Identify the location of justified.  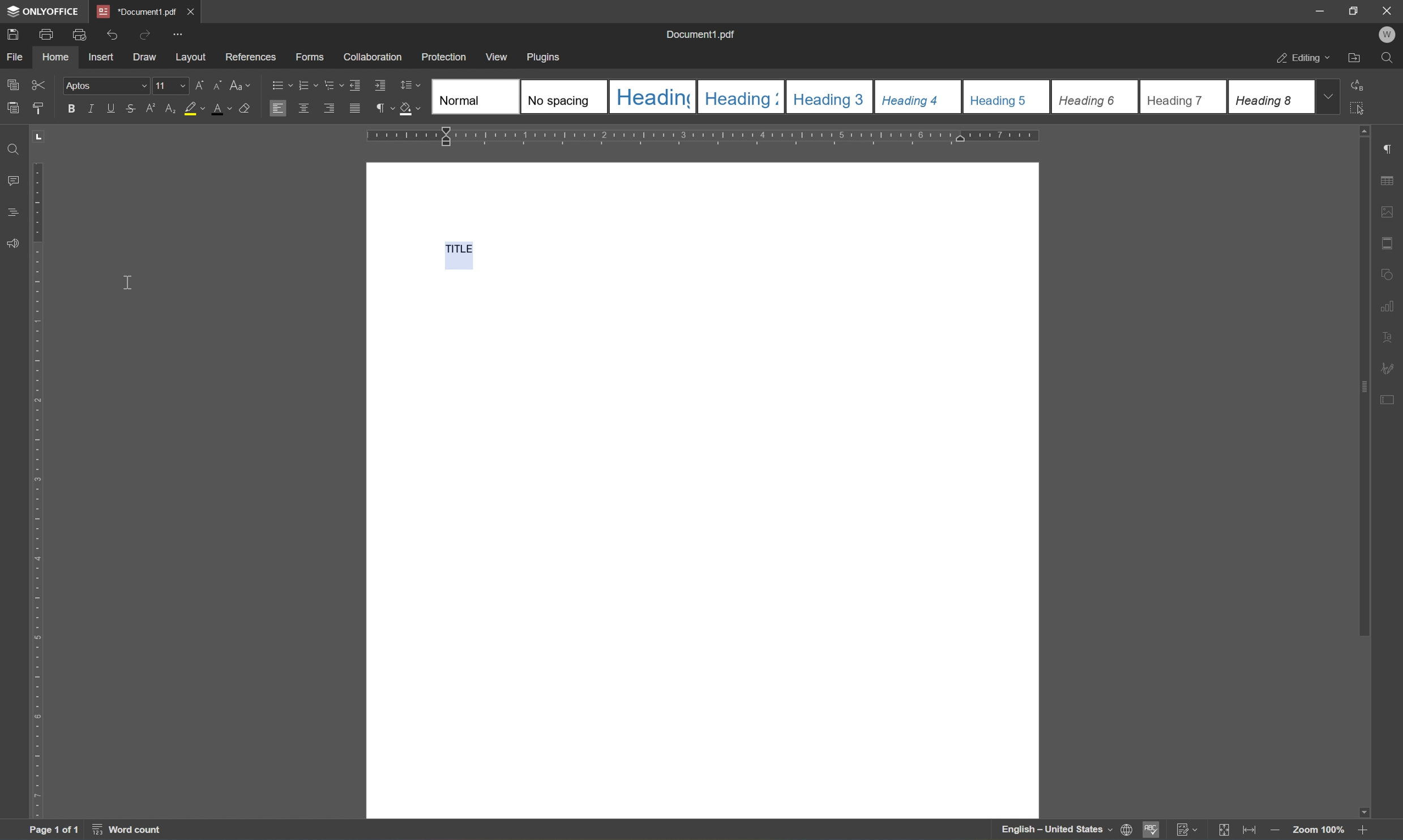
(355, 108).